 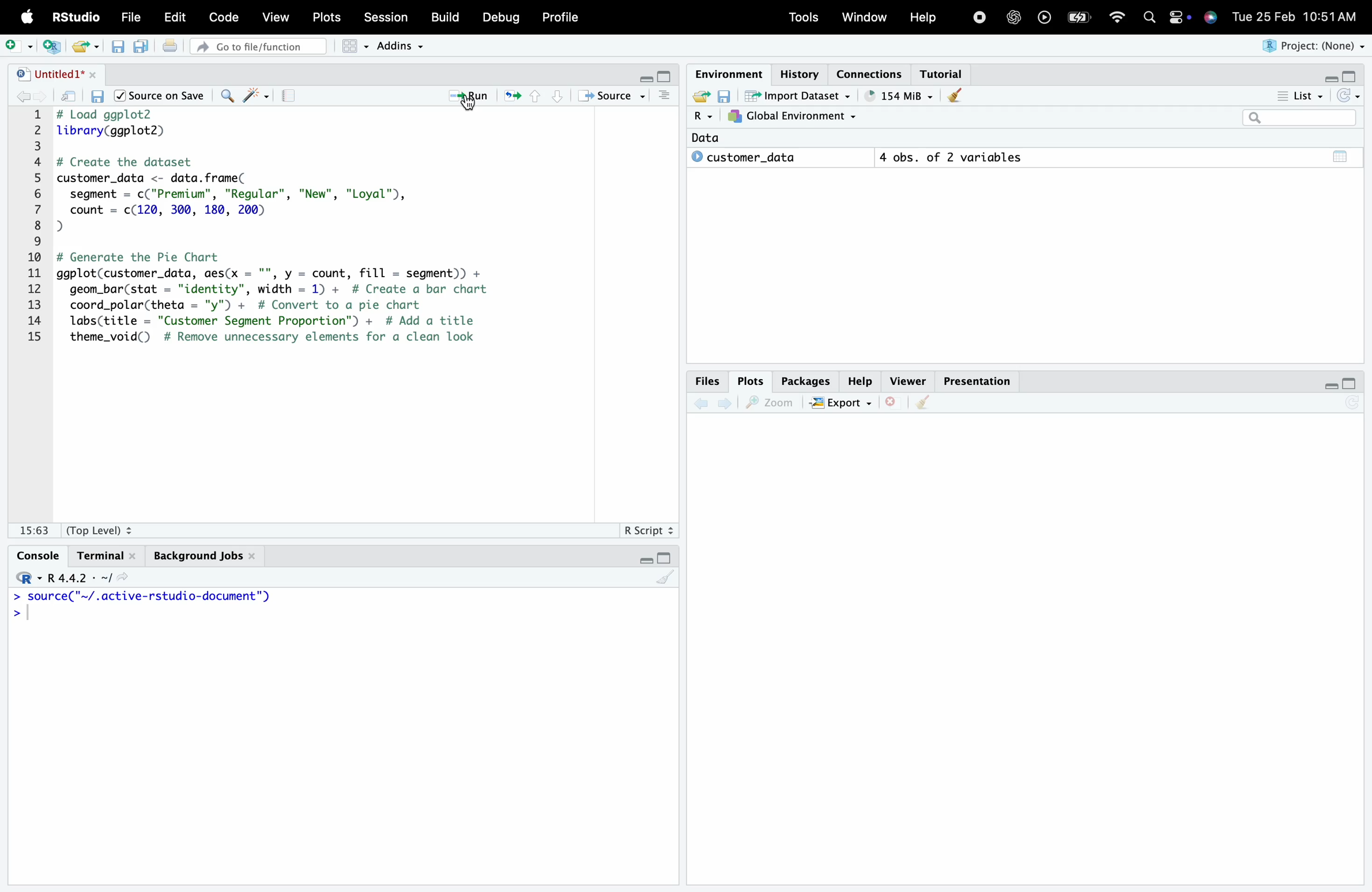 What do you see at coordinates (1083, 16) in the screenshot?
I see `battery` at bounding box center [1083, 16].